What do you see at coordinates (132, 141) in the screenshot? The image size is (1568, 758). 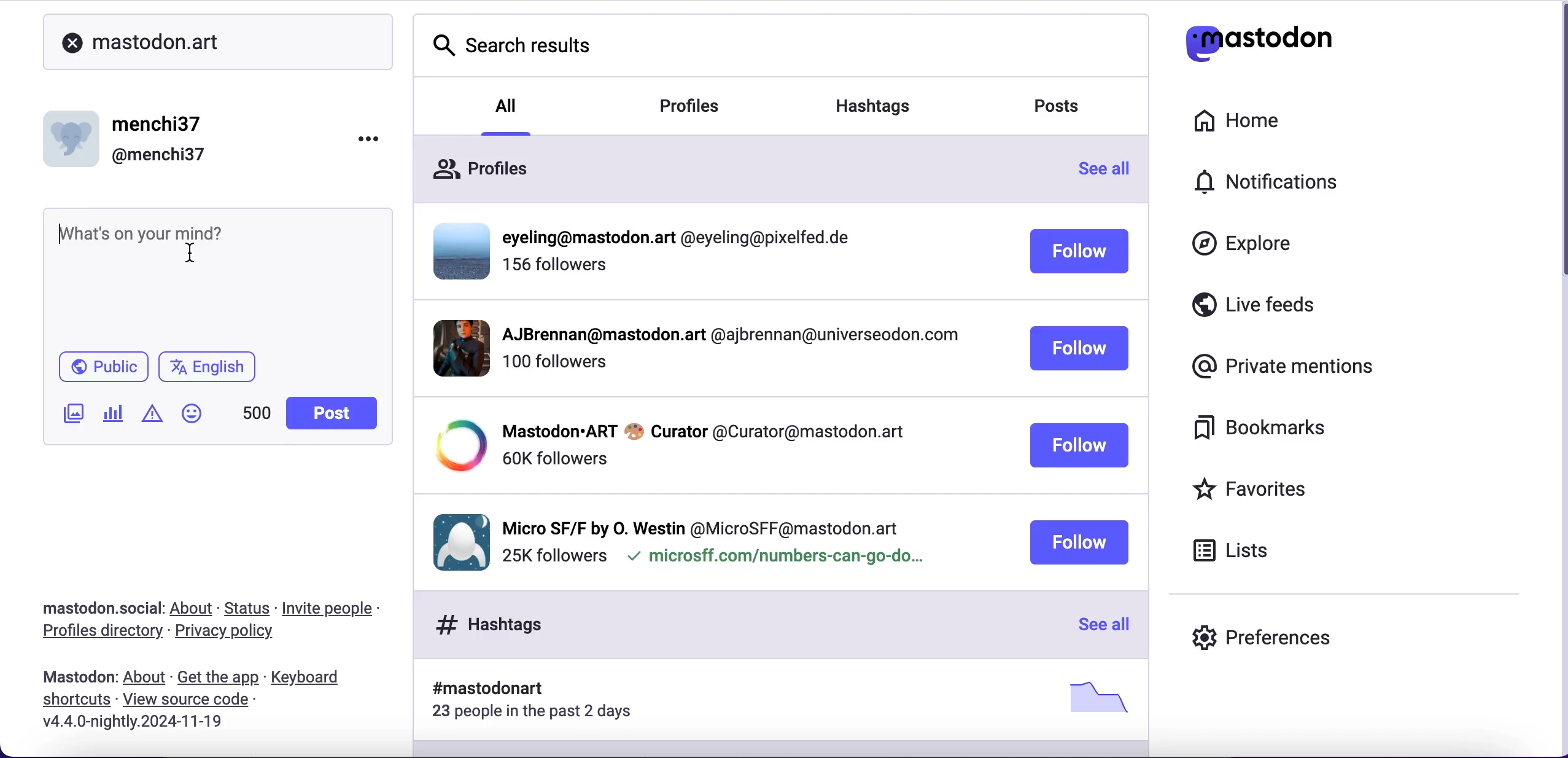 I see `user` at bounding box center [132, 141].